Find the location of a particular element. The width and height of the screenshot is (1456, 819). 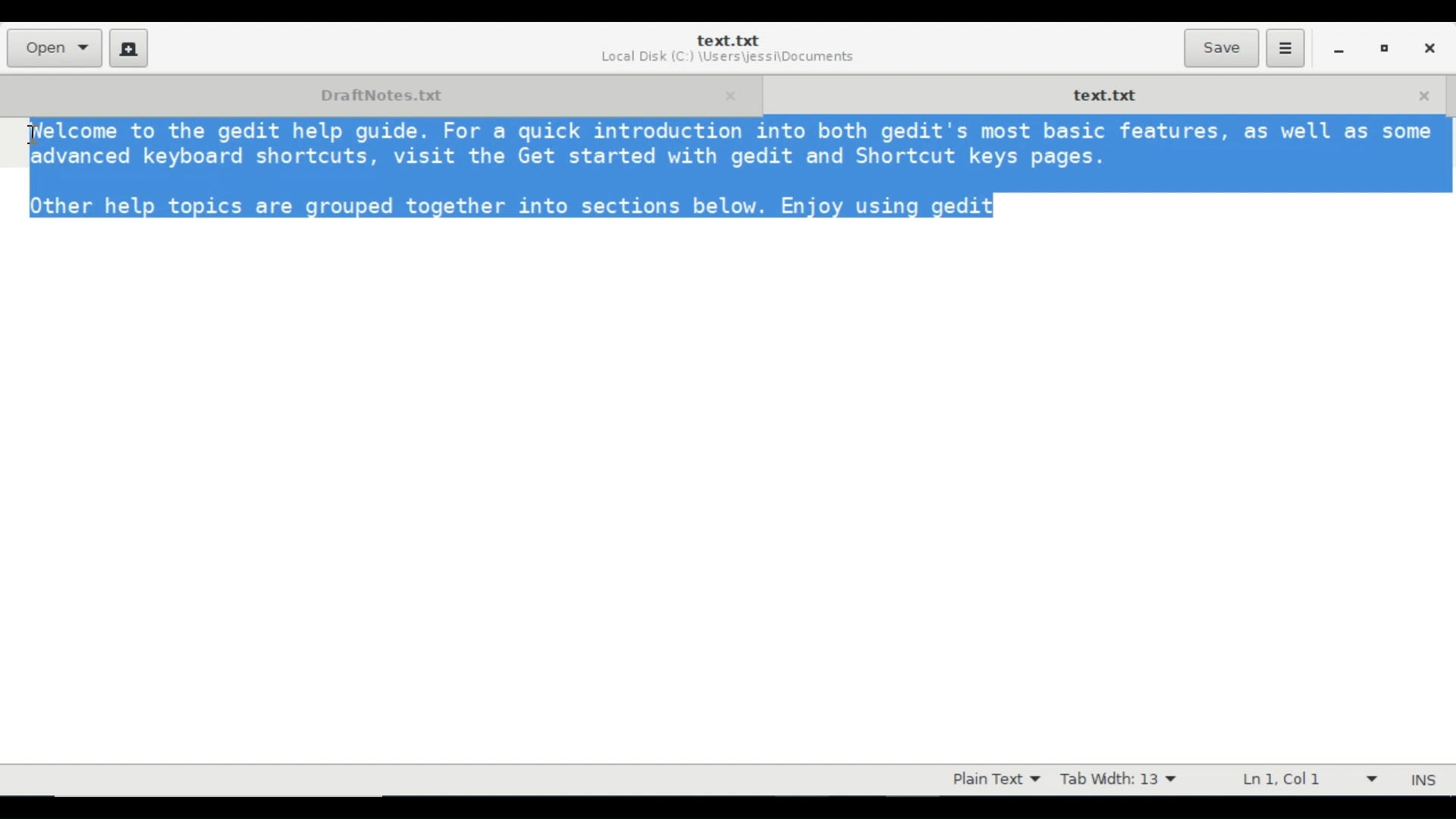

Welcome to the gedit help guide. For a quick introduction into both gedit's most basic features, as well as some
advanced keyboard shortcuts, visit the Get started with gedit and Shortcut keys pages. is located at coordinates (727, 144).